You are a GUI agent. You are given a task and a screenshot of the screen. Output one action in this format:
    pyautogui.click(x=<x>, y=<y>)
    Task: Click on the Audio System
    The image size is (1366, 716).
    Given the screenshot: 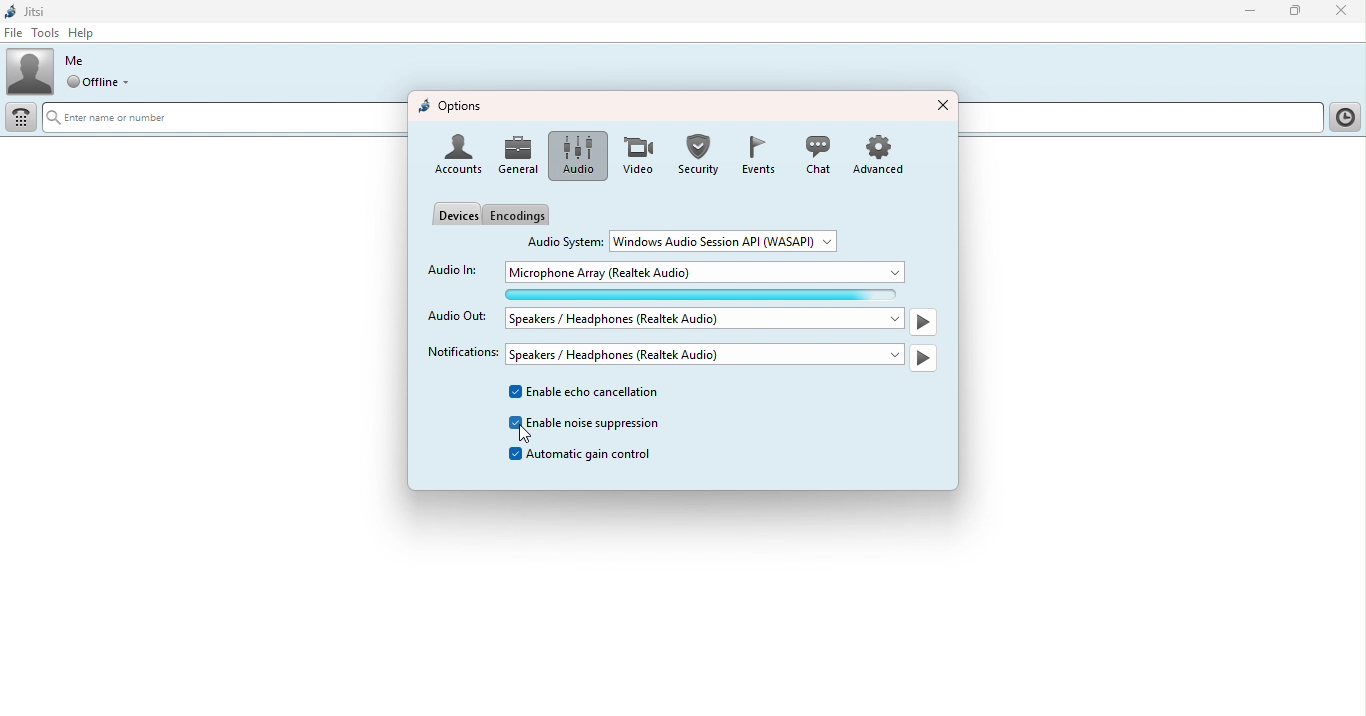 What is the action you would take?
    pyautogui.click(x=566, y=240)
    